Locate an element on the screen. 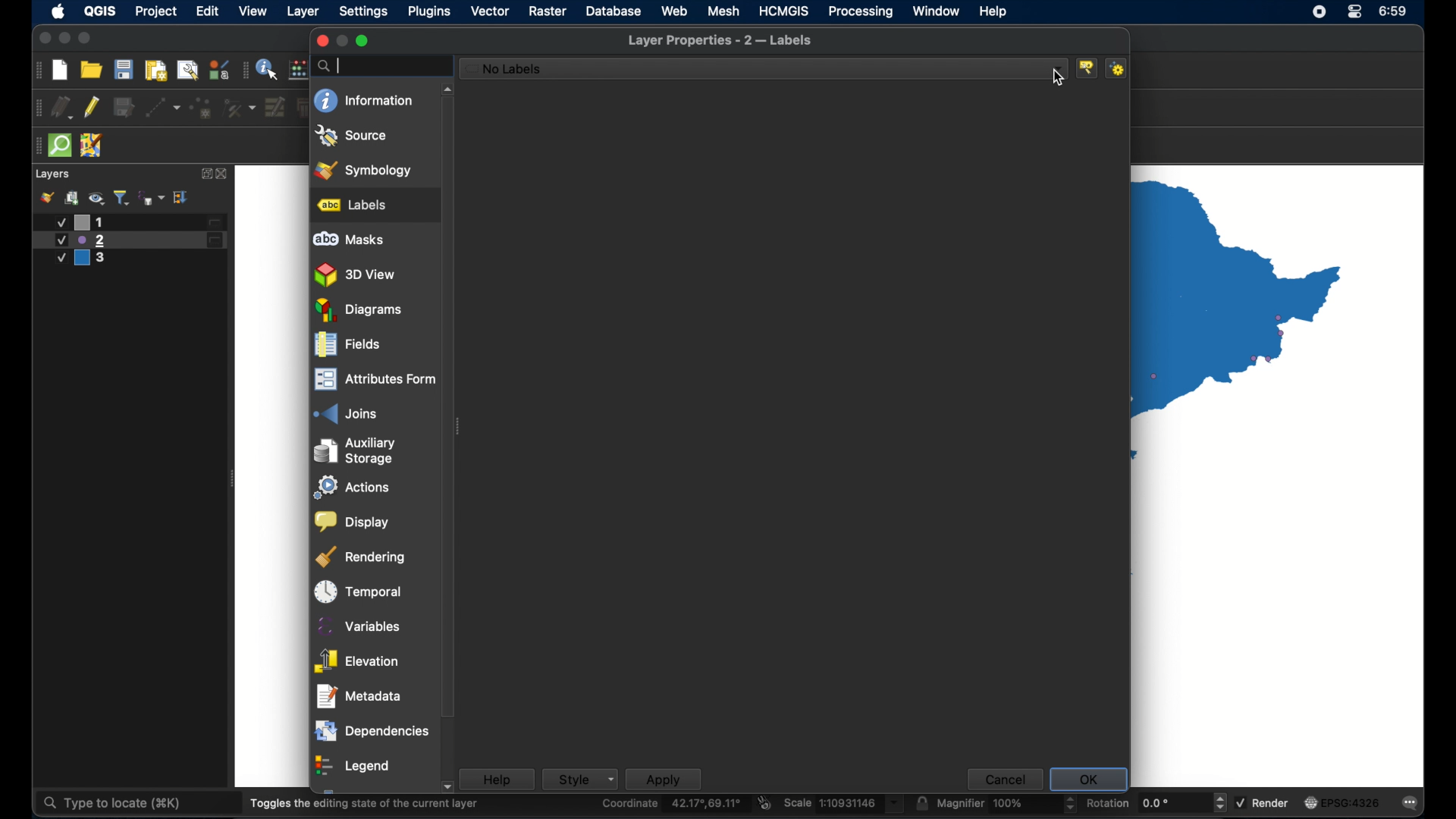 The height and width of the screenshot is (819, 1456). attributes form is located at coordinates (373, 379).